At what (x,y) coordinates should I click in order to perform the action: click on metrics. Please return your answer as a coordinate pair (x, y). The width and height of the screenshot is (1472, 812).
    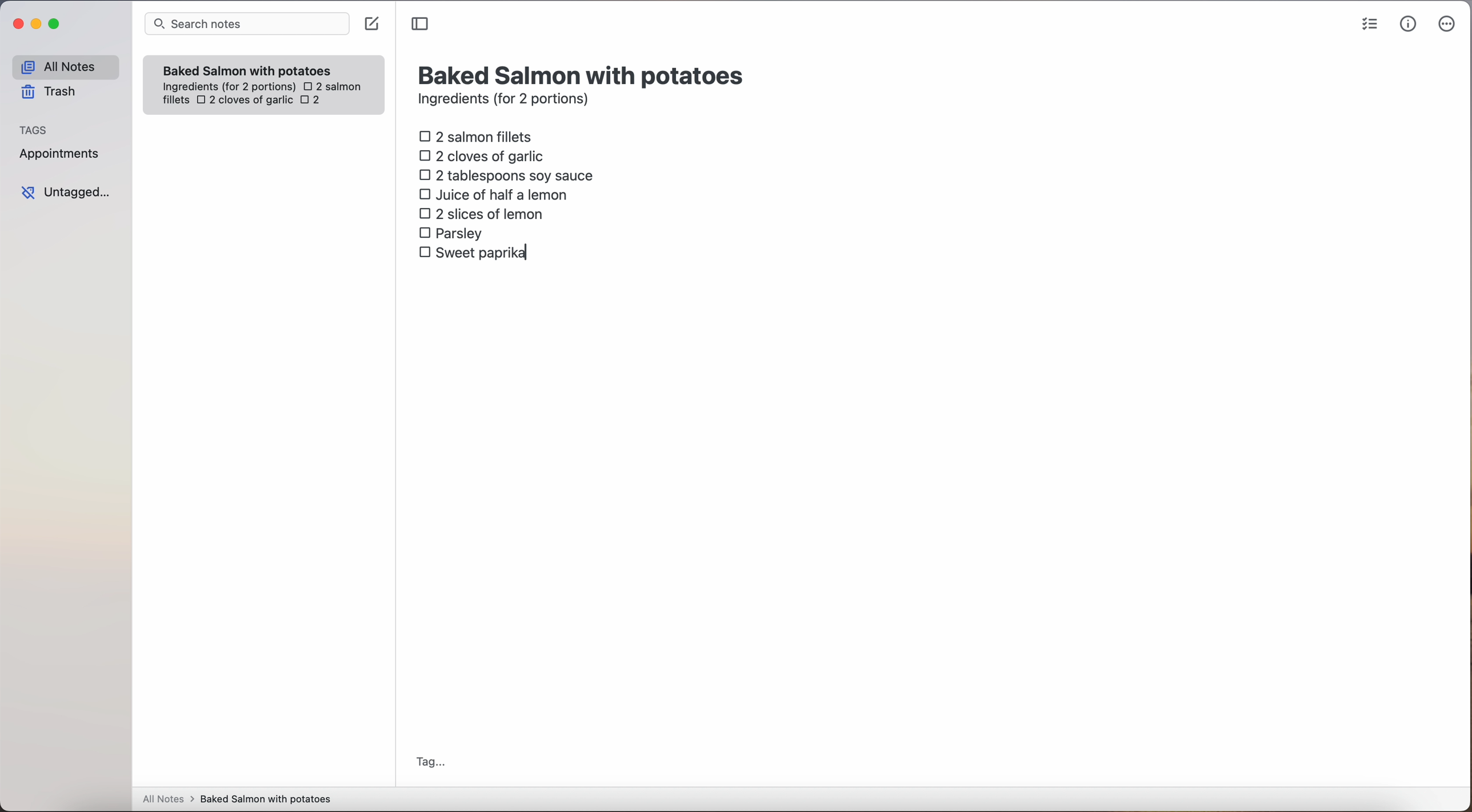
    Looking at the image, I should click on (1409, 23).